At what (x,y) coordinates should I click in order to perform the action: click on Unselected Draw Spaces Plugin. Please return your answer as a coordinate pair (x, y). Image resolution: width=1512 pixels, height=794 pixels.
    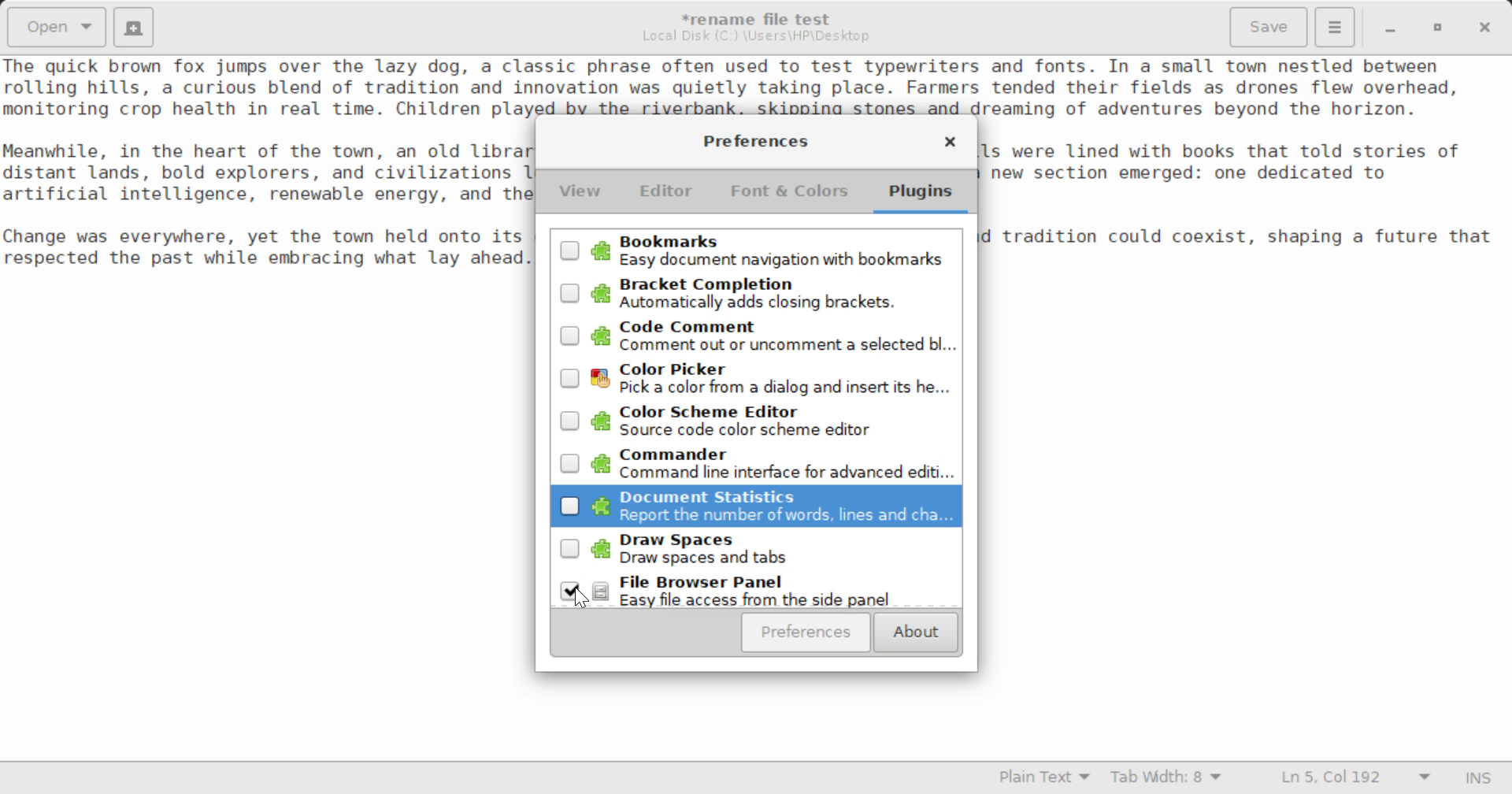
    Looking at the image, I should click on (758, 551).